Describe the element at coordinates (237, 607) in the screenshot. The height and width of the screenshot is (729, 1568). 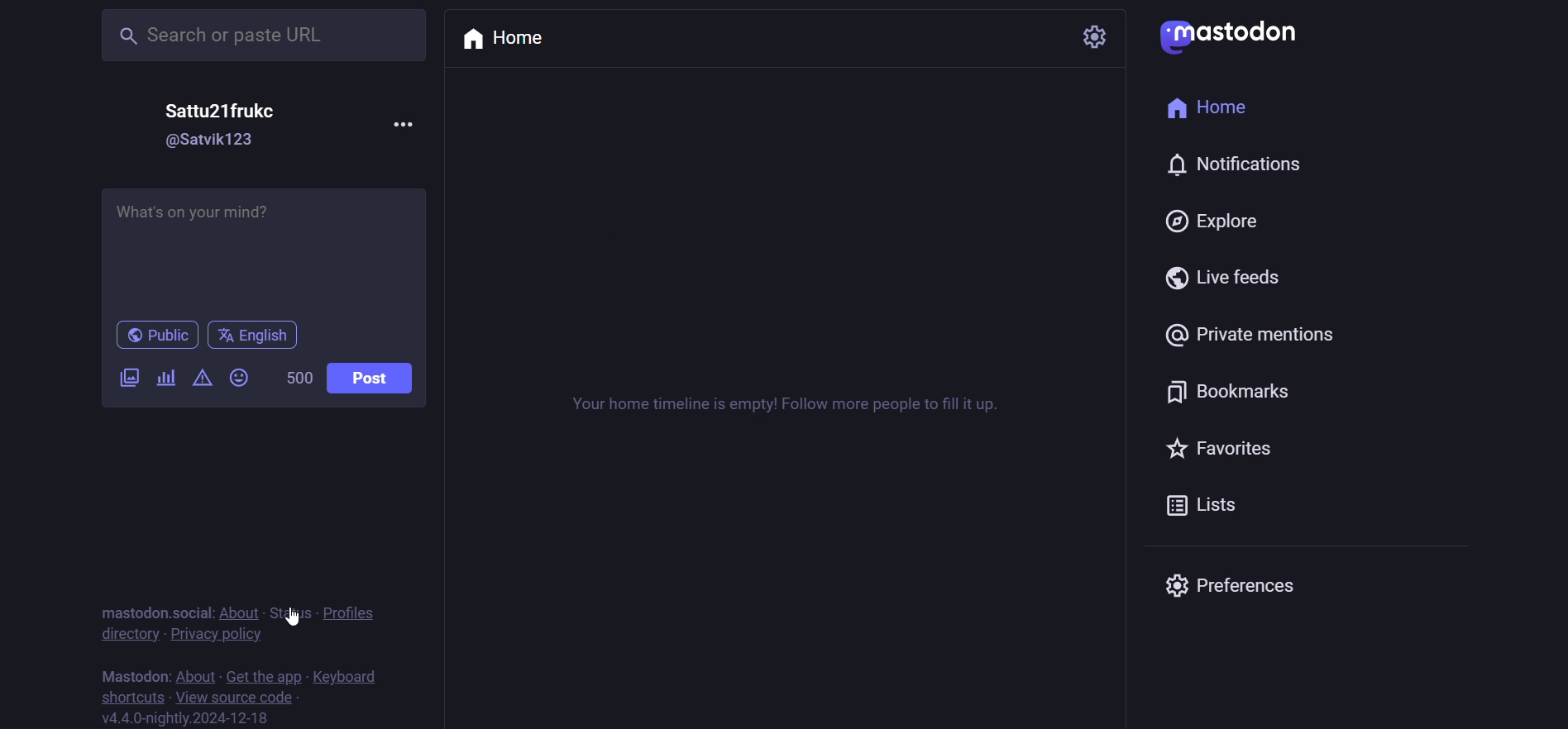
I see `about` at that location.